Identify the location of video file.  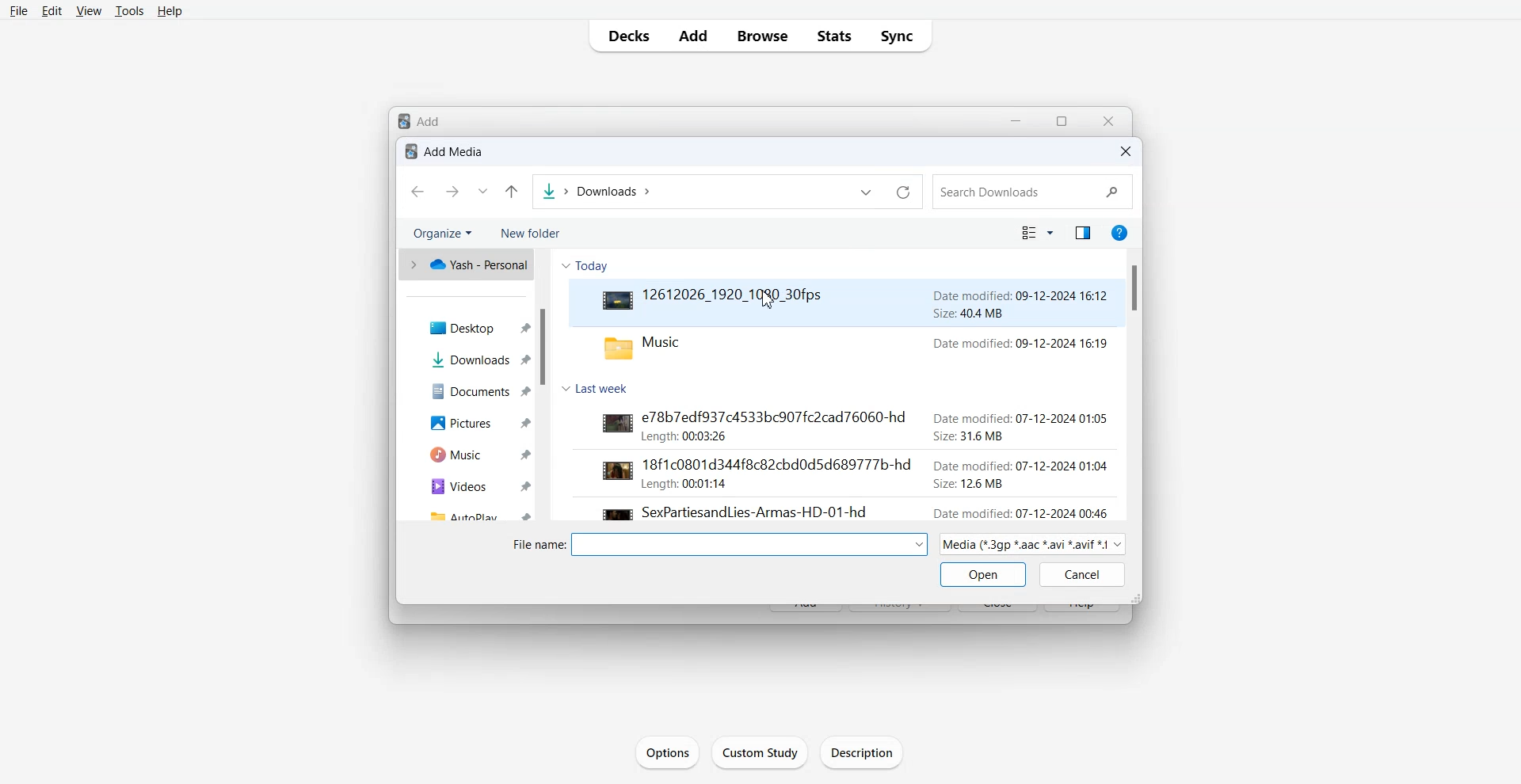
(727, 509).